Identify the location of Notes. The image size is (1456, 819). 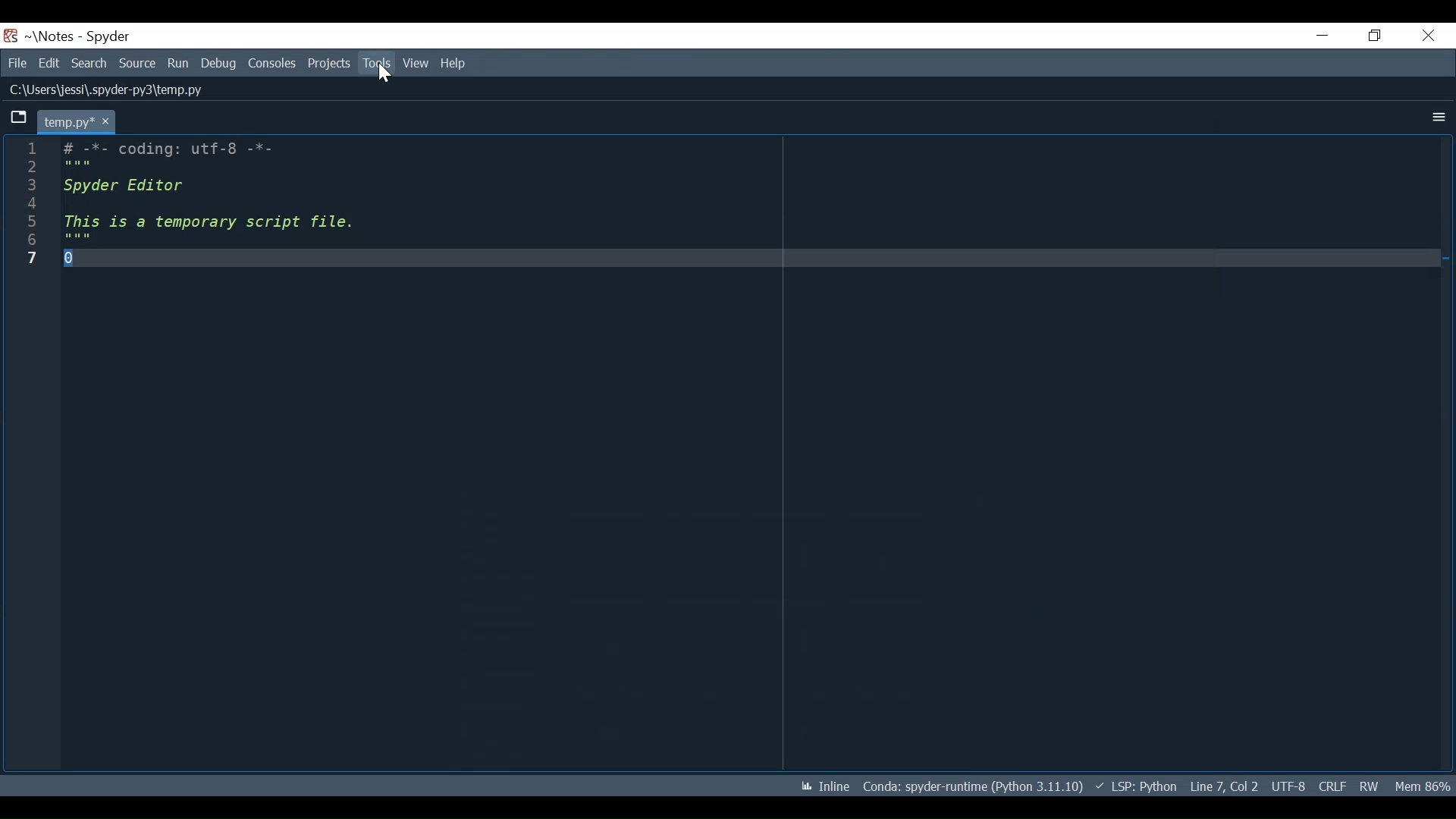
(46, 36).